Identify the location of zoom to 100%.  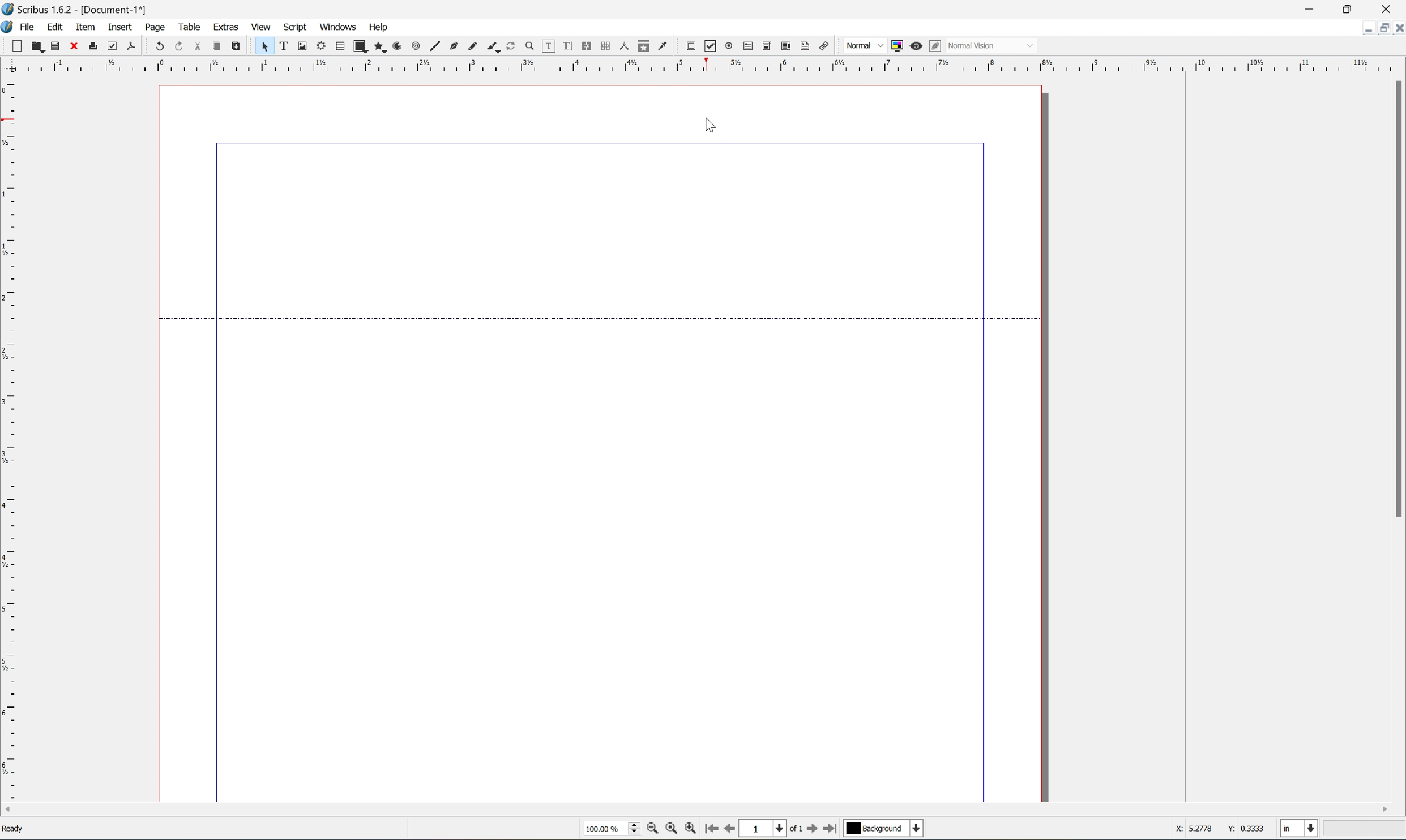
(672, 831).